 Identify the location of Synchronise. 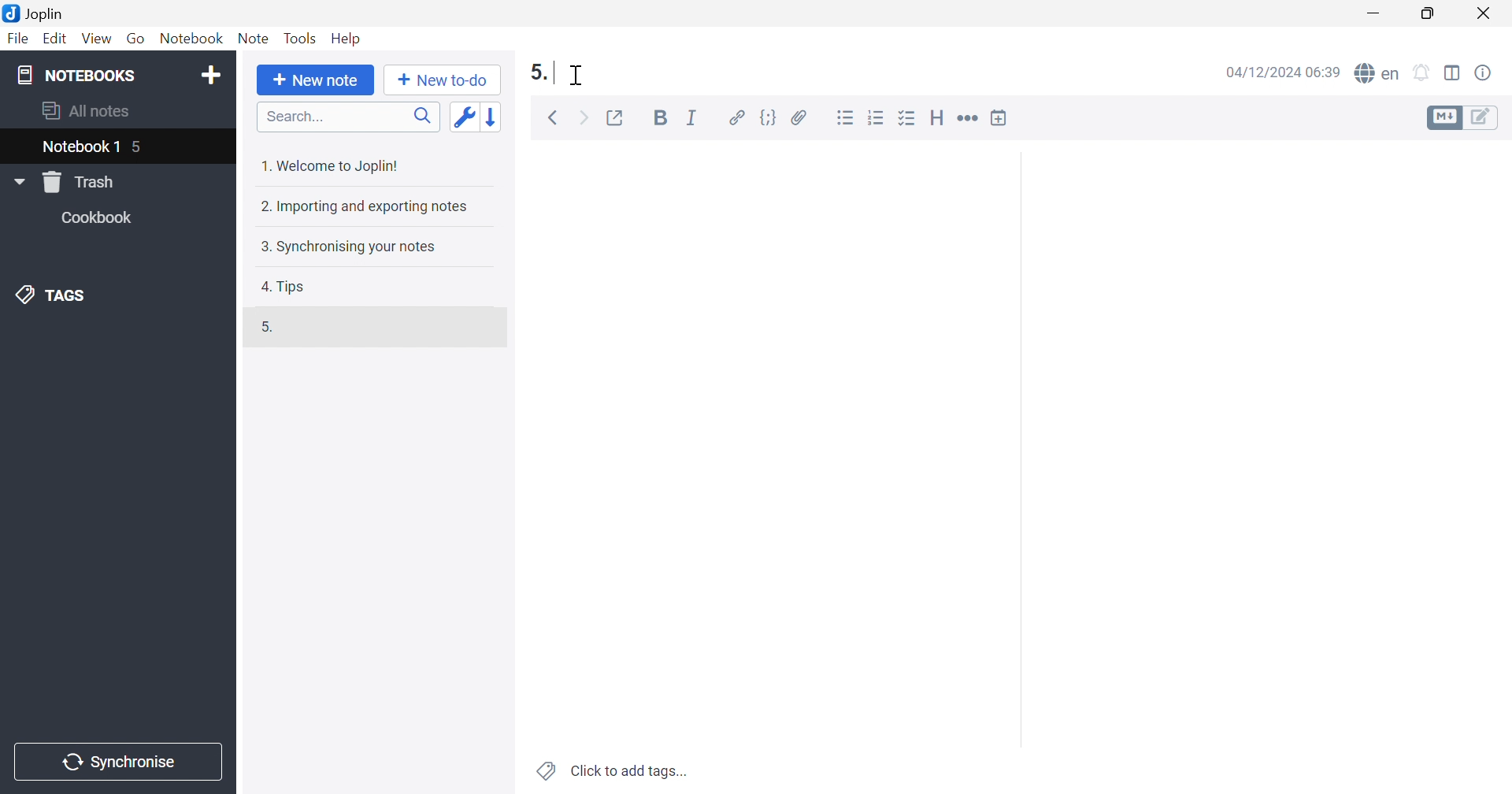
(122, 762).